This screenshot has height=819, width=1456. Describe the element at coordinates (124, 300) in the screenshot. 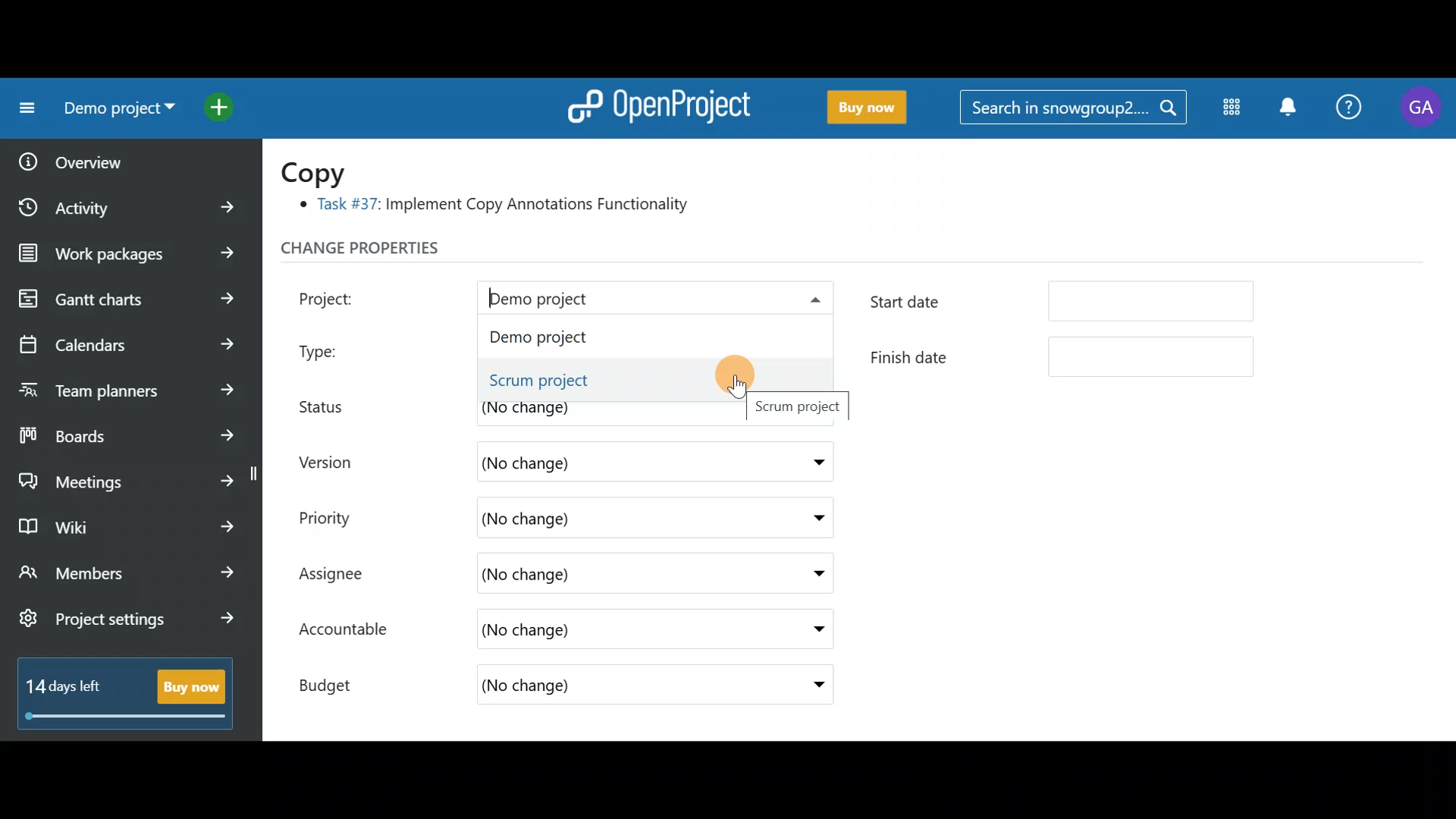

I see `Gantt charts` at that location.